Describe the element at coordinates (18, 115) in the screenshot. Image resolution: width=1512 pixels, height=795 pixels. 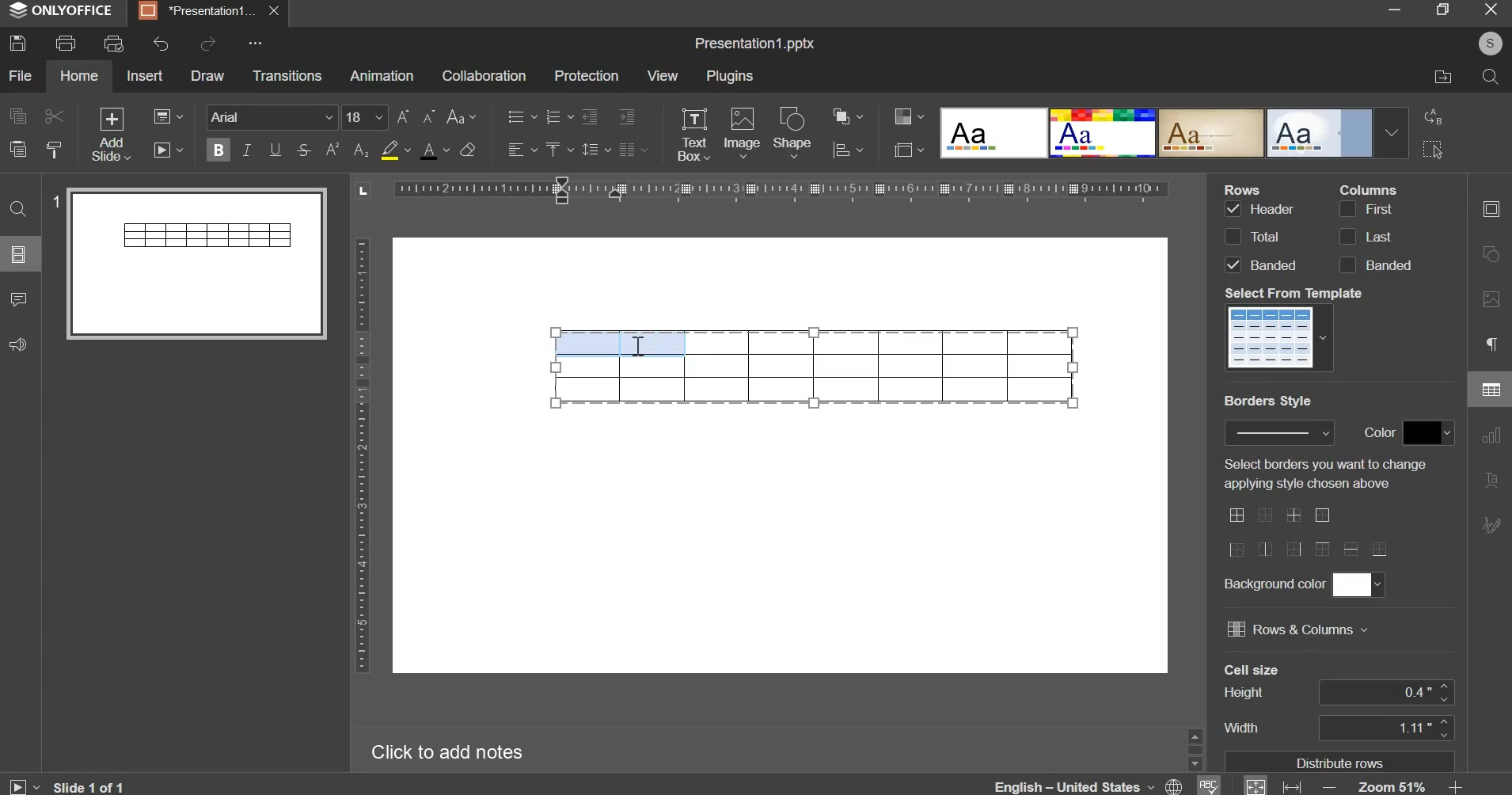
I see `copy` at that location.